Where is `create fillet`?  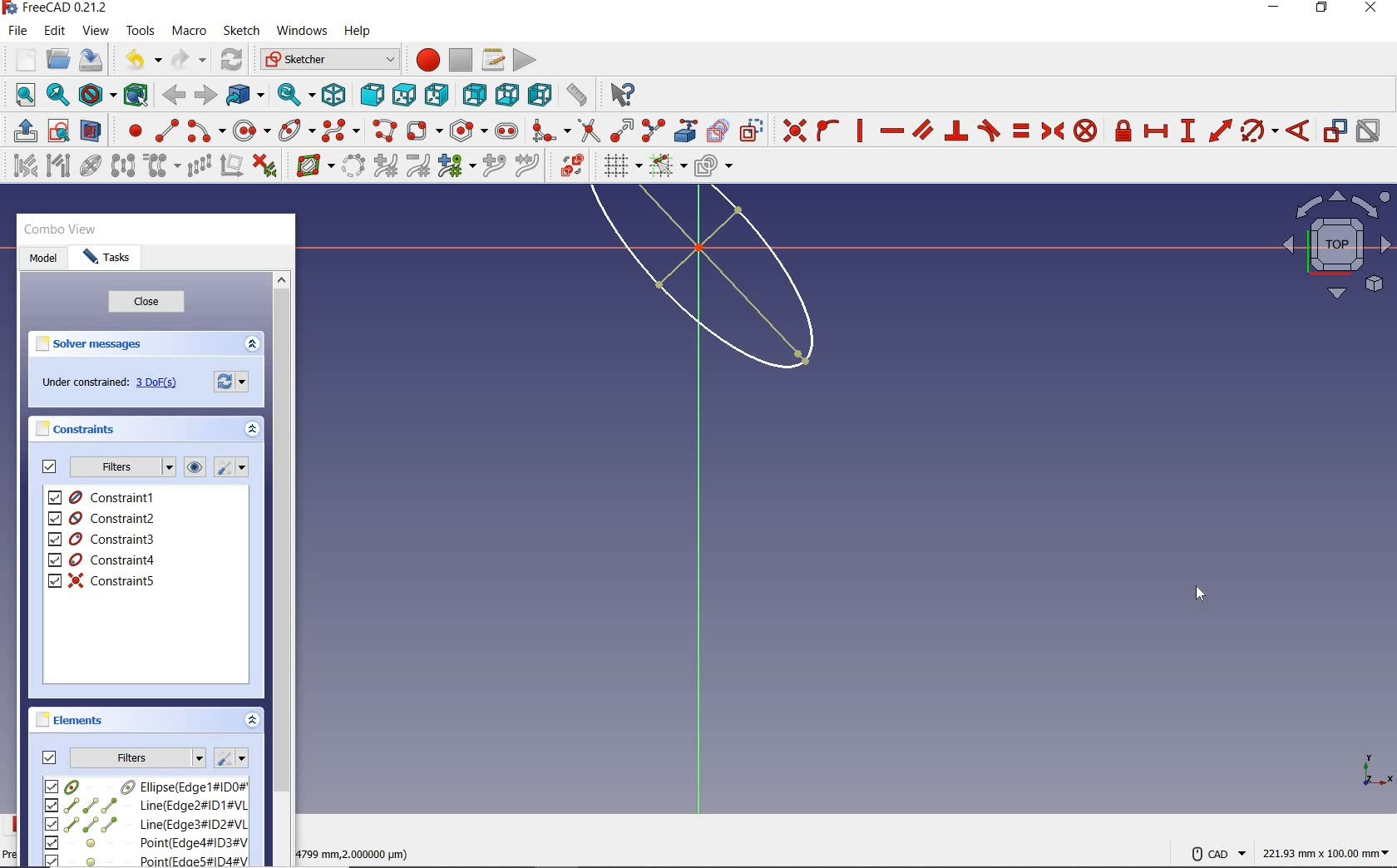
create fillet is located at coordinates (550, 128).